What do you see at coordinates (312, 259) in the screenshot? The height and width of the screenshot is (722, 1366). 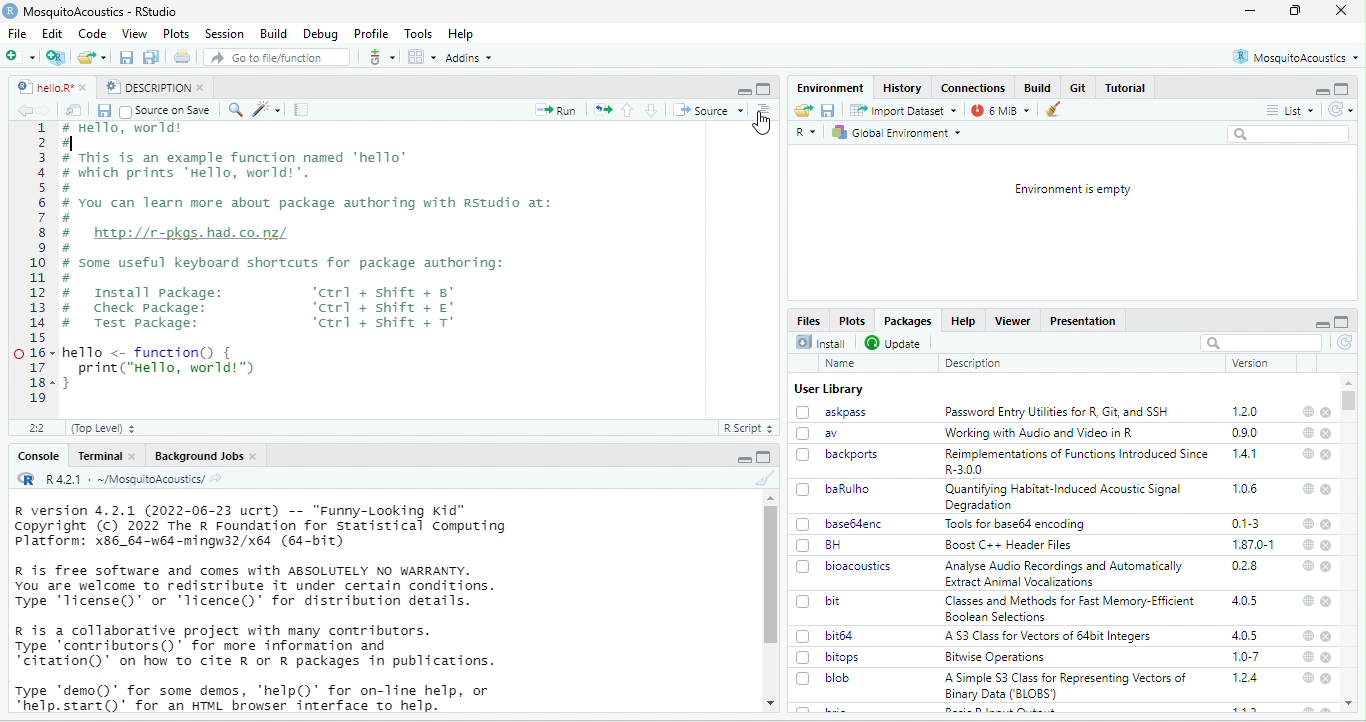 I see `# Hello, World! # This is an example function named ‘hello’# which prints Hello, world!’.# You can learn more about package authoring with Rstudio at:I#  huep://r-pkgs.had.co.nz/.# Some useful keyboard shortcuts for package authoring:I# Install package: ‘ctrl + shift + 8°# Check Package: ‘ctrl + shift + €°# Test package: ‘ctrl + shift + T°hello <- function() {print("Hello, world")H` at bounding box center [312, 259].